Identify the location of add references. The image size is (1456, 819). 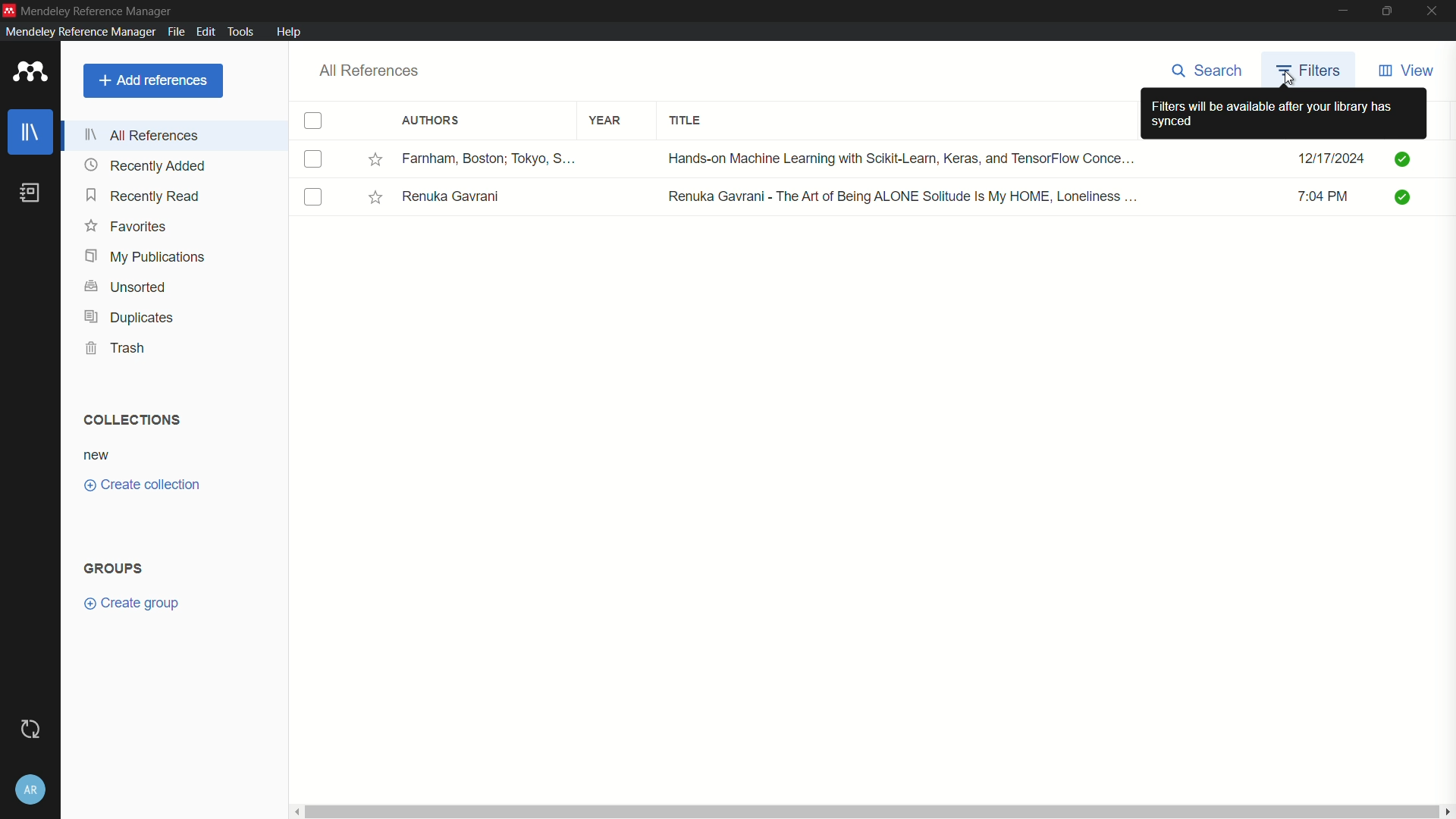
(152, 81).